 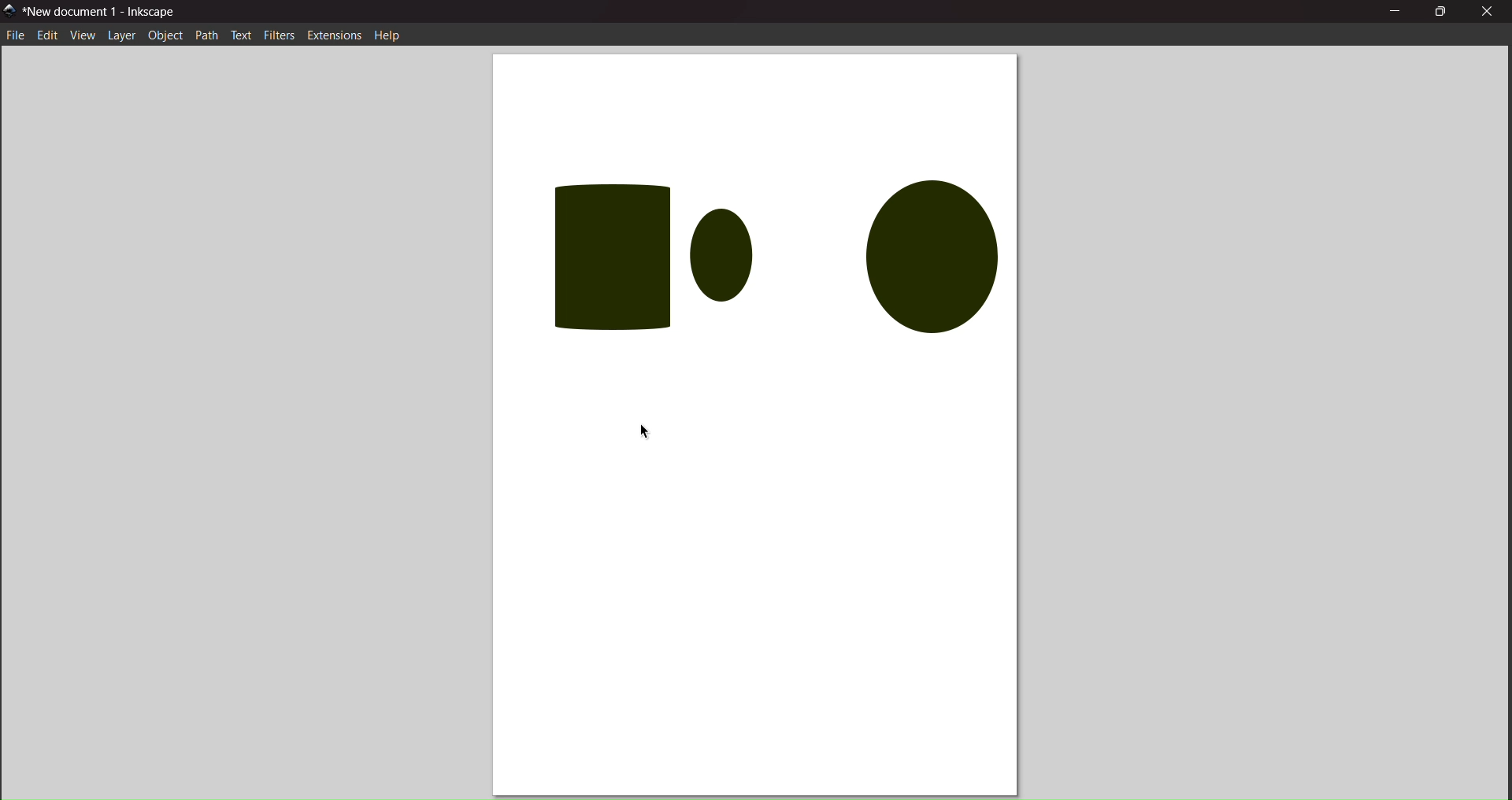 What do you see at coordinates (46, 36) in the screenshot?
I see `edit` at bounding box center [46, 36].